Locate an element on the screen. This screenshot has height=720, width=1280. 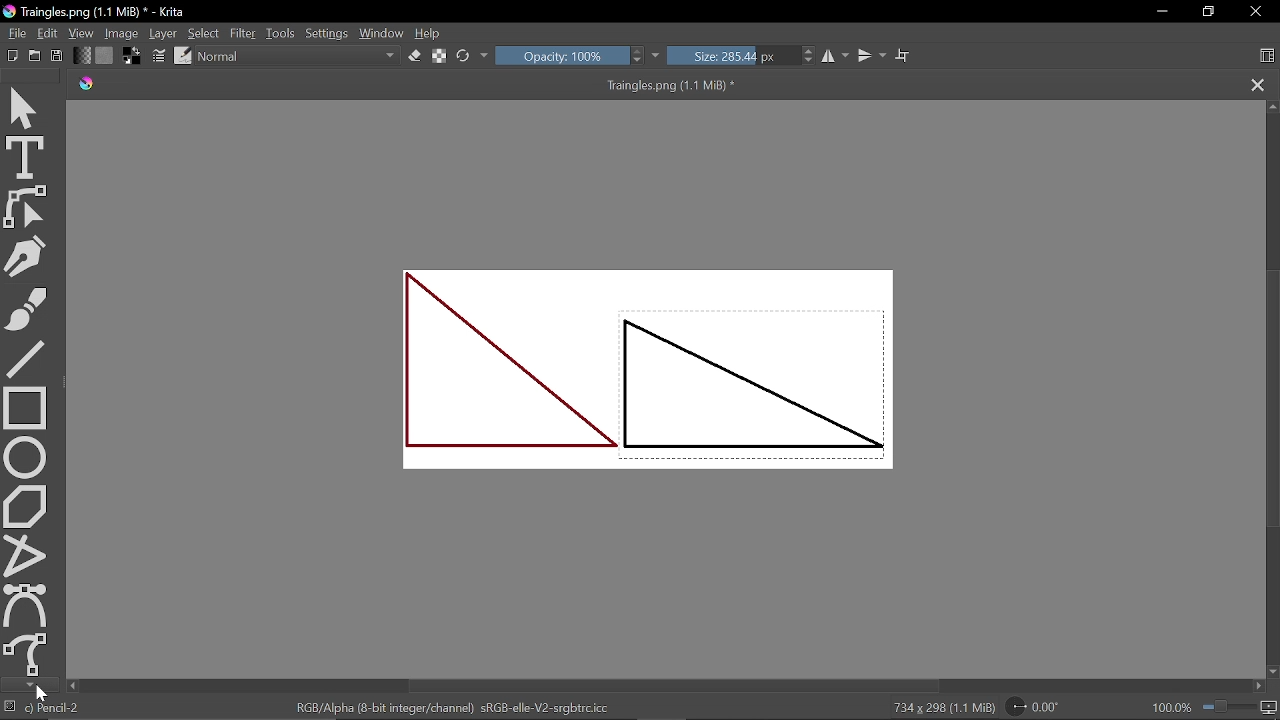
Image is located at coordinates (123, 33).